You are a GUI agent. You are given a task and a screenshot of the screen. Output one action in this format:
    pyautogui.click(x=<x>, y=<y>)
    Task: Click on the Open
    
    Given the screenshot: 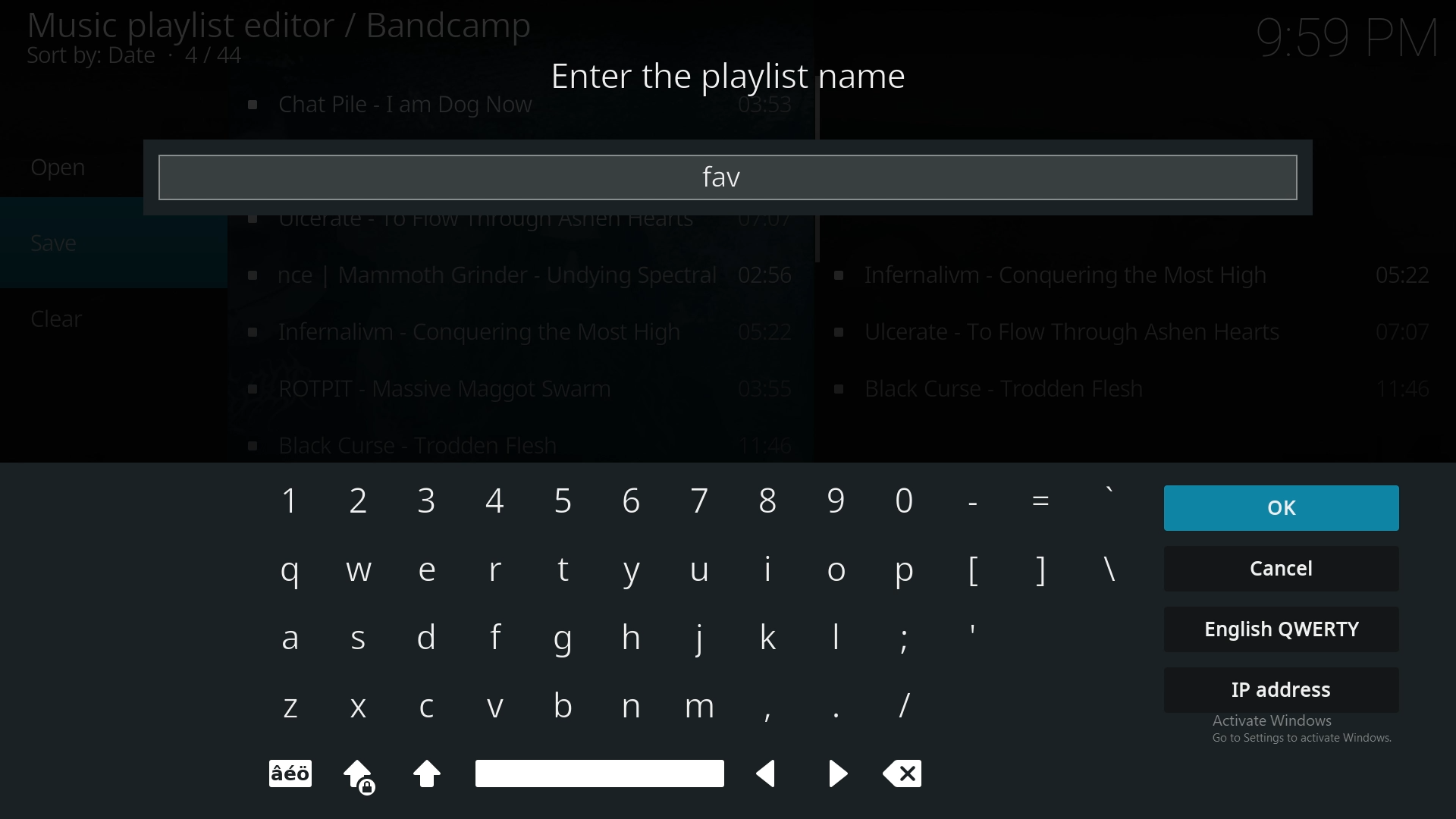 What is the action you would take?
    pyautogui.click(x=59, y=168)
    